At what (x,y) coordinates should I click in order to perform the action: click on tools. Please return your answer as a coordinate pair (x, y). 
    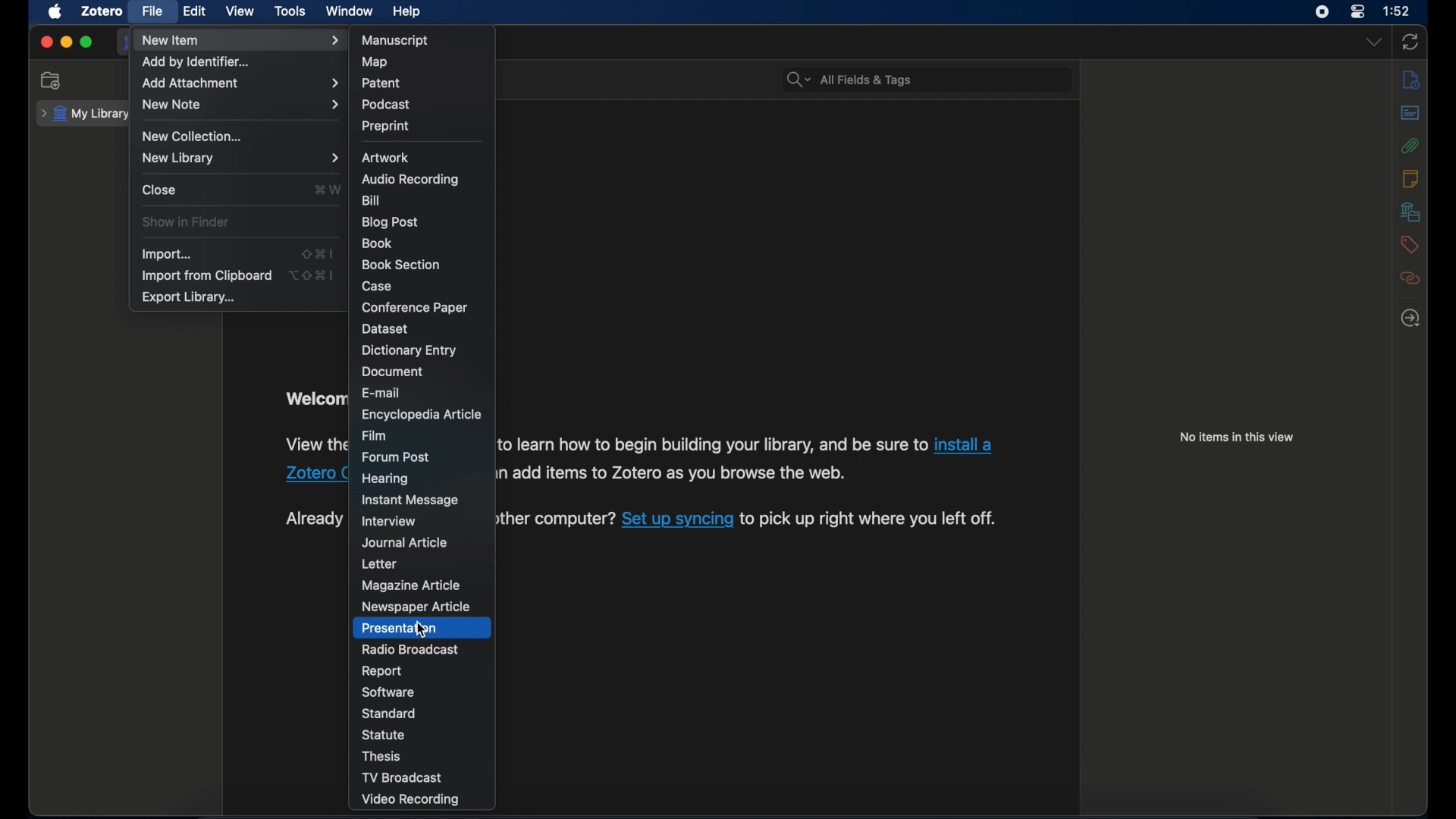
    Looking at the image, I should click on (290, 11).